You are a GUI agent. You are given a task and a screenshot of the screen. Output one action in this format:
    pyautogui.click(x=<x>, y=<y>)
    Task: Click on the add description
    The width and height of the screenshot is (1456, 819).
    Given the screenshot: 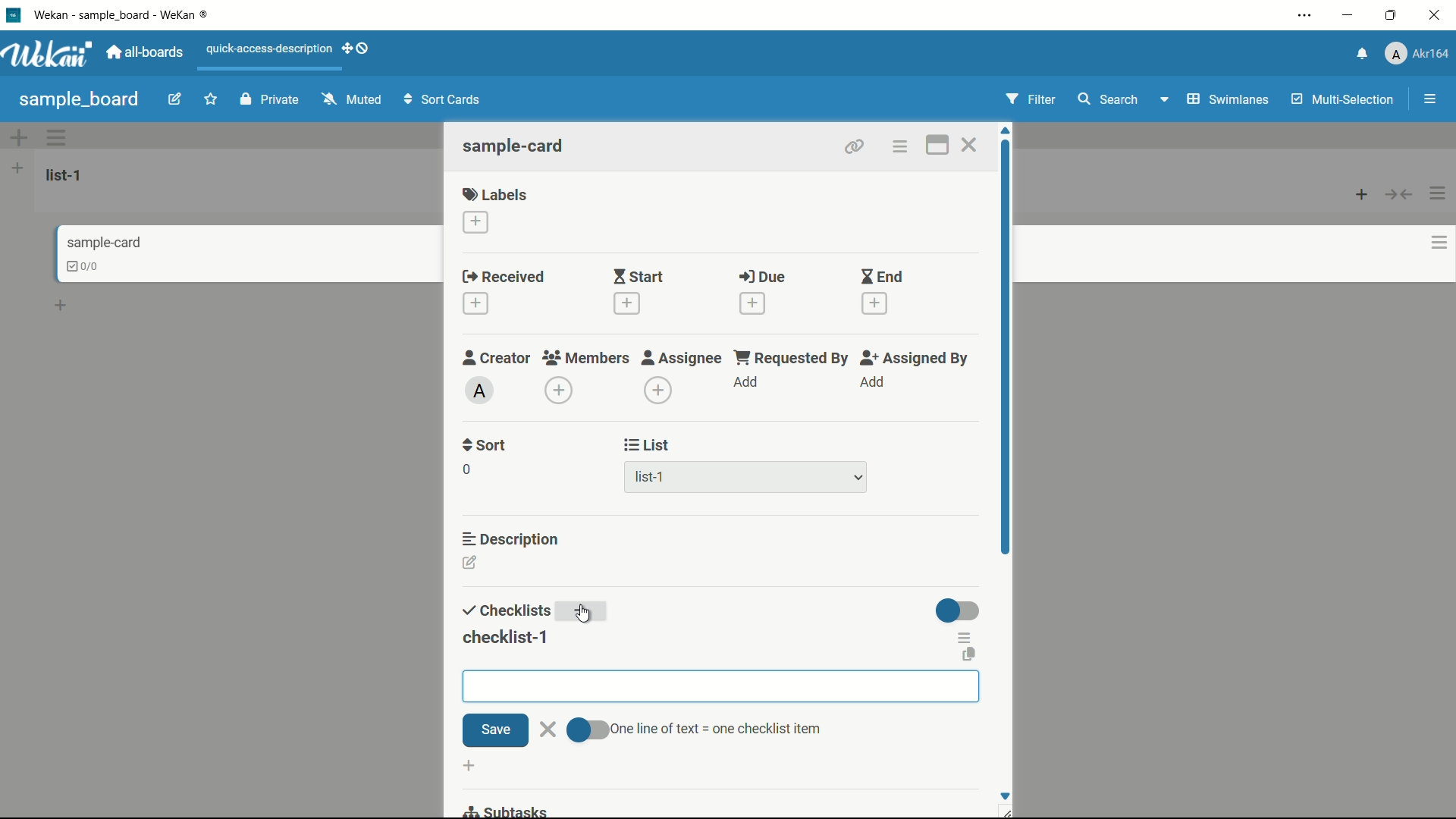 What is the action you would take?
    pyautogui.click(x=471, y=565)
    